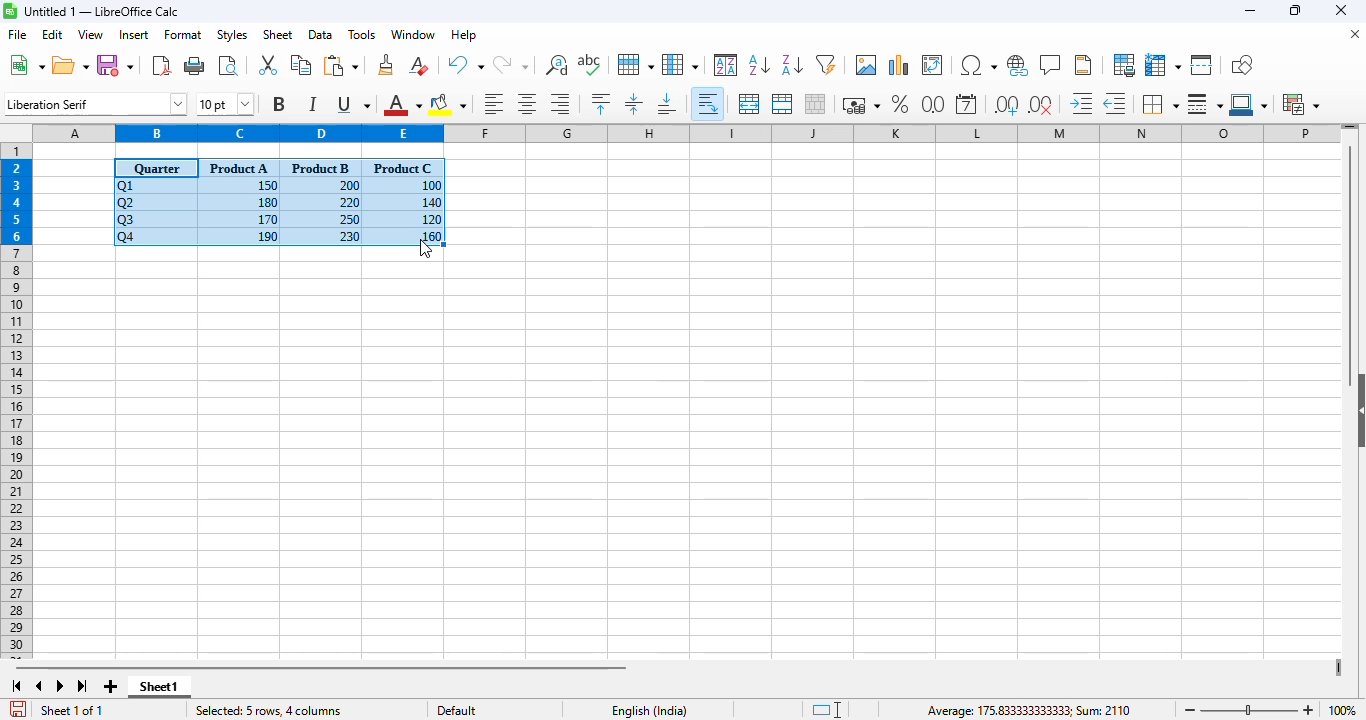 The image size is (1366, 720). What do you see at coordinates (826, 710) in the screenshot?
I see `standard selection` at bounding box center [826, 710].